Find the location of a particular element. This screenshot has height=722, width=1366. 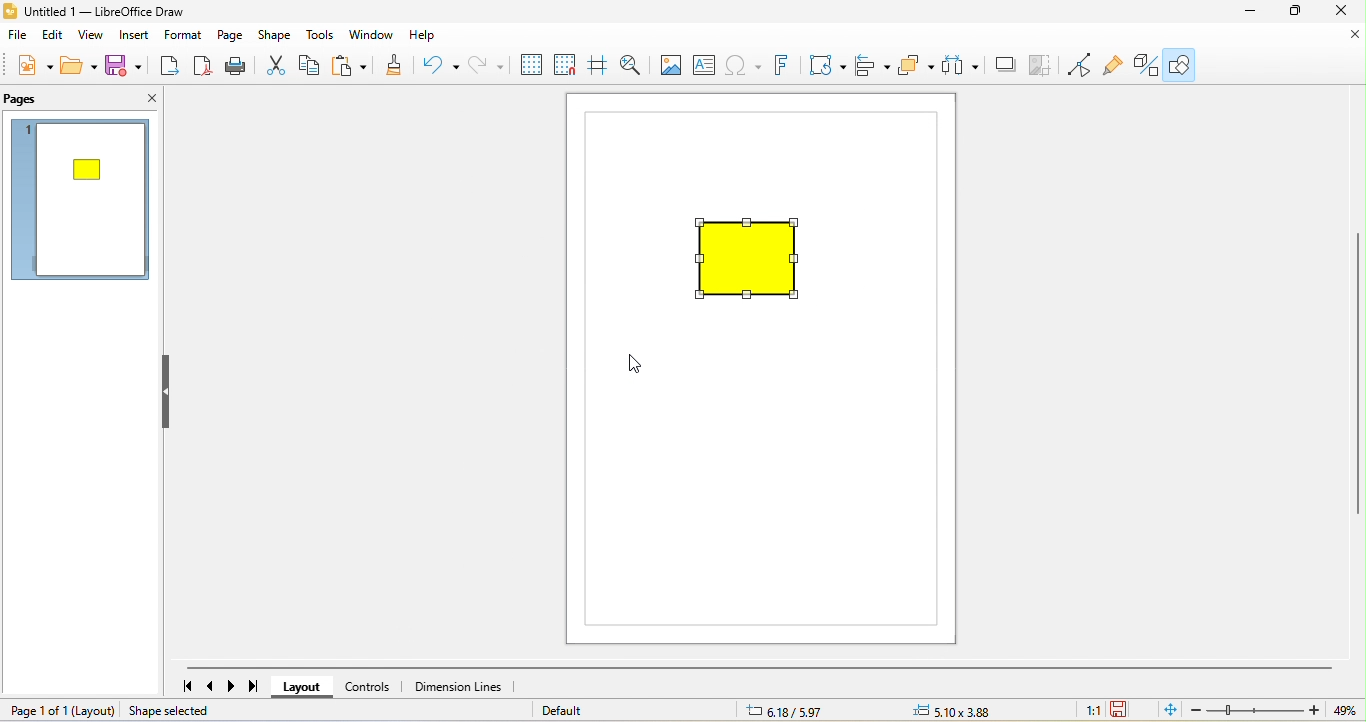

zoom and pan is located at coordinates (631, 63).